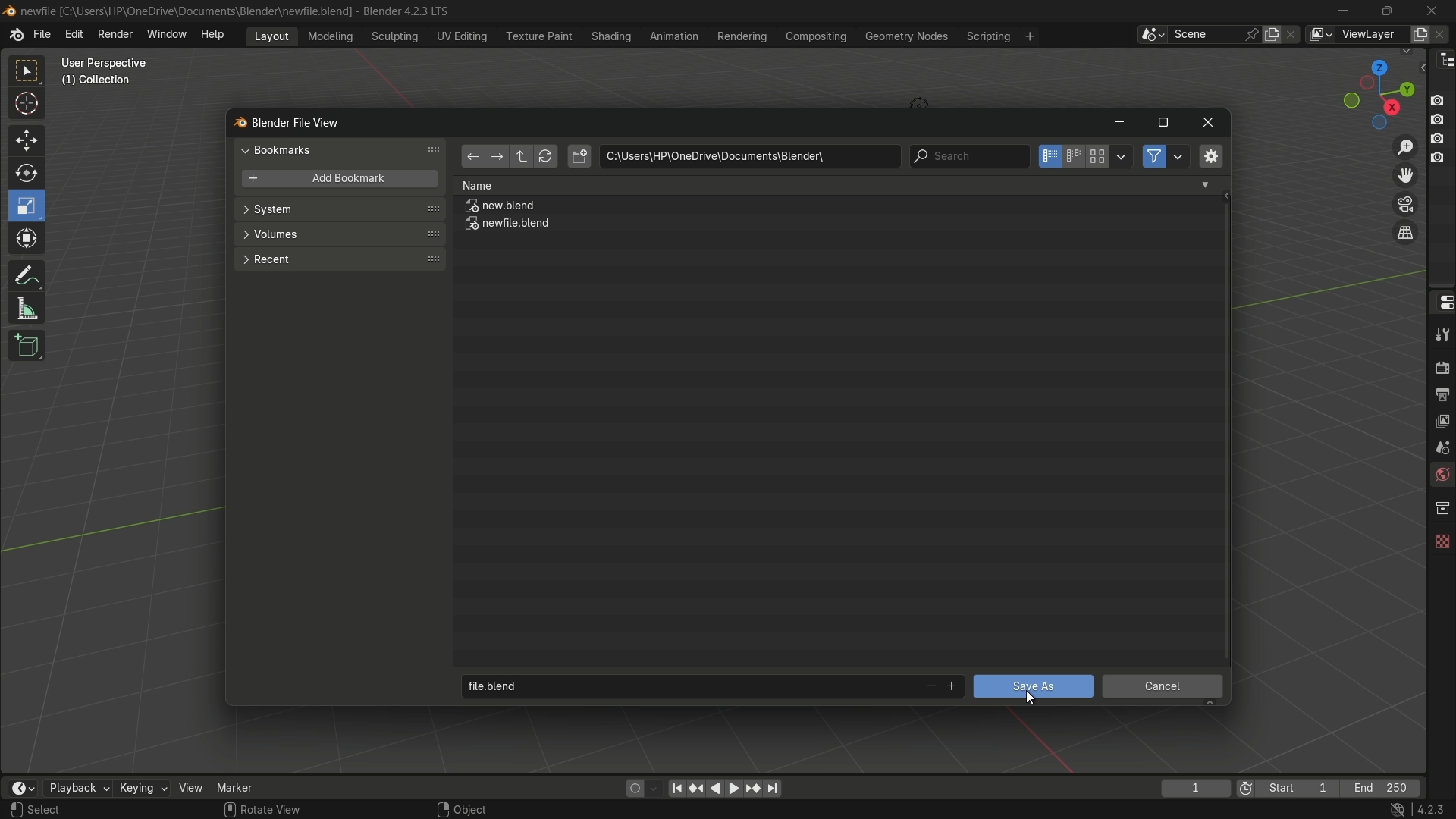 This screenshot has height=819, width=1456. Describe the element at coordinates (191, 787) in the screenshot. I see `view` at that location.